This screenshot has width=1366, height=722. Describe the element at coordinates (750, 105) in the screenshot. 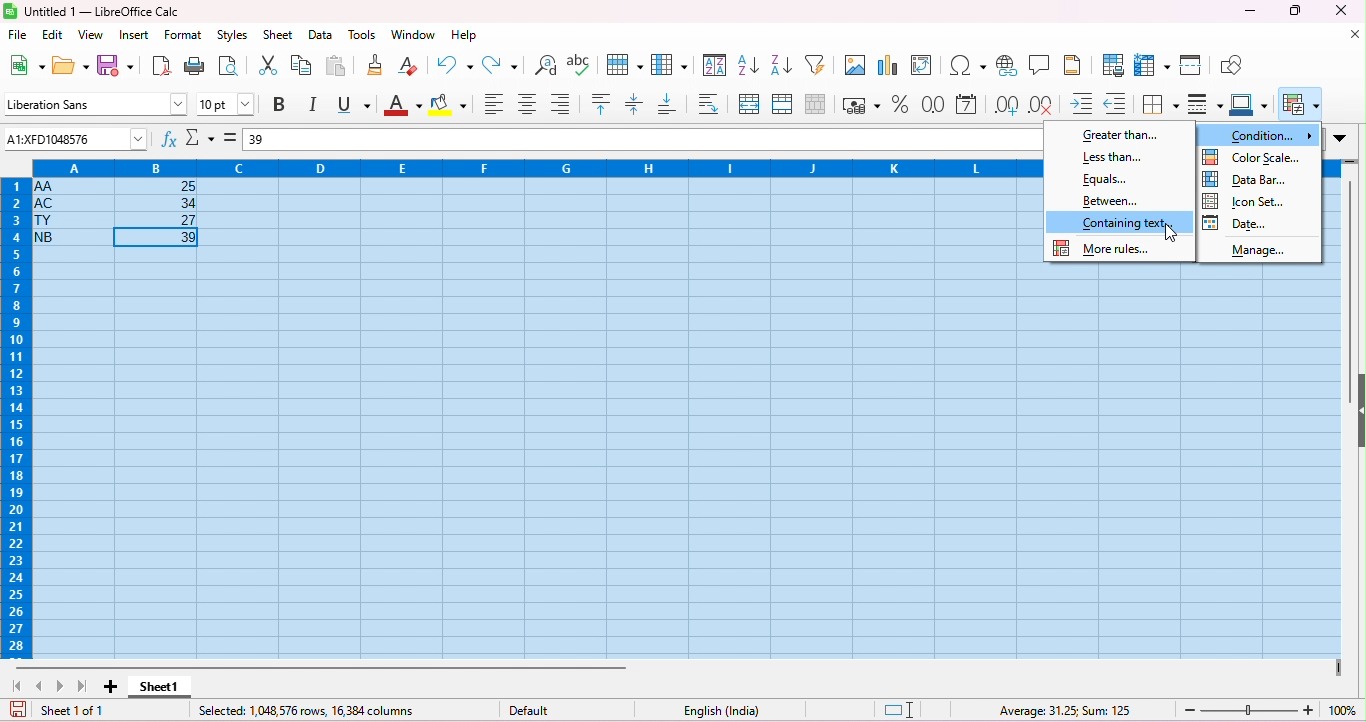

I see `merge and center` at that location.